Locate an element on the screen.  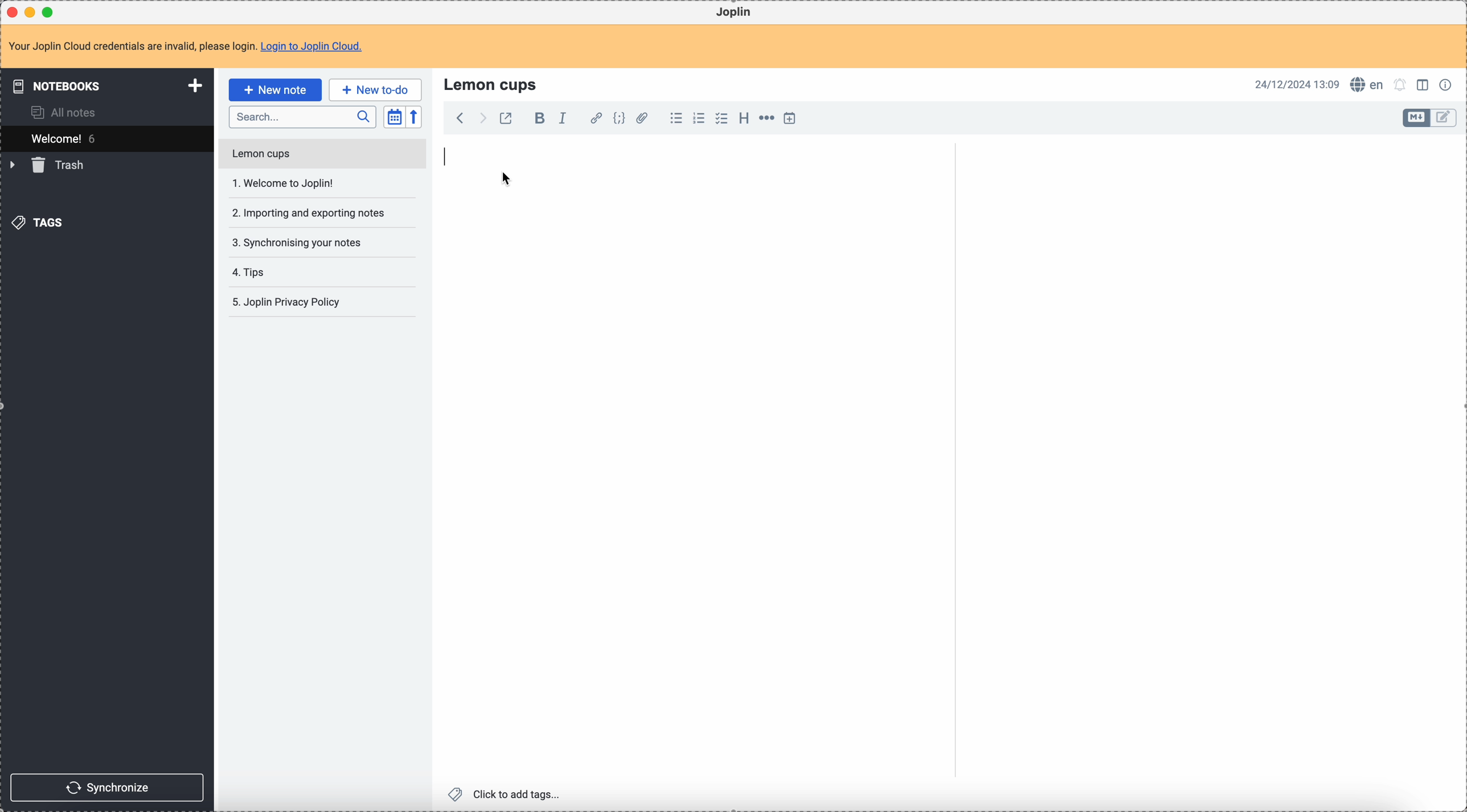
foward is located at coordinates (481, 118).